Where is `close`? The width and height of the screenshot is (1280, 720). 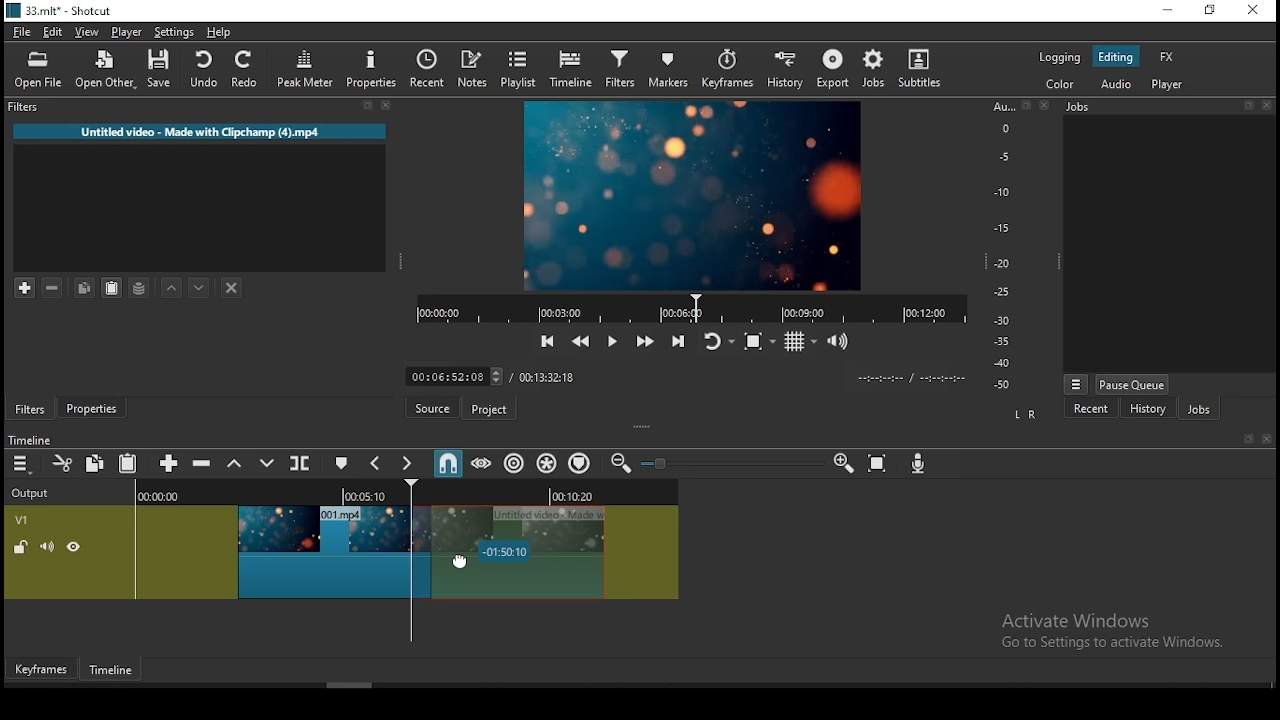 close is located at coordinates (1269, 440).